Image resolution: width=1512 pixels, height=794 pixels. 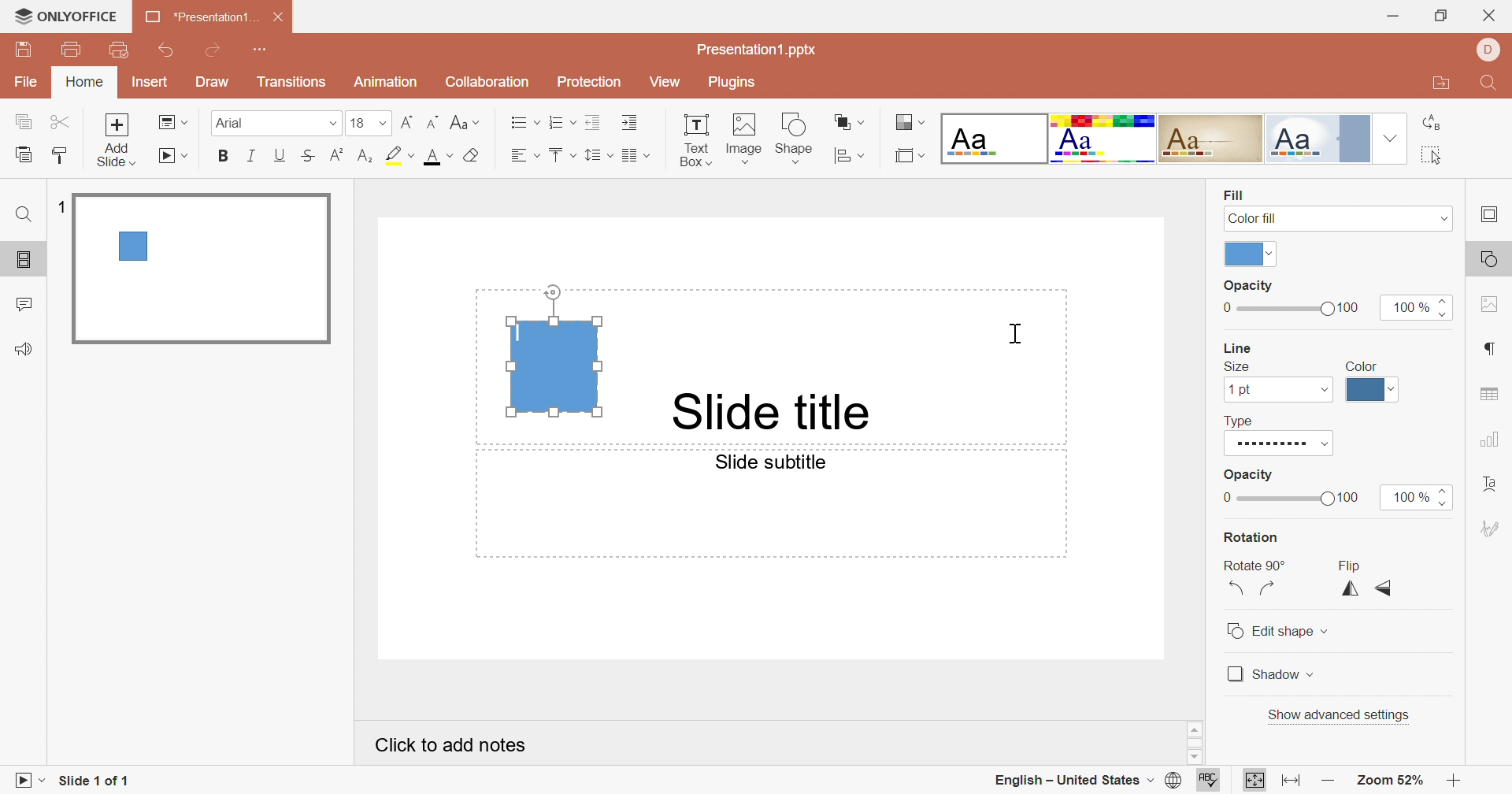 What do you see at coordinates (1210, 781) in the screenshot?
I see `Check spelling` at bounding box center [1210, 781].